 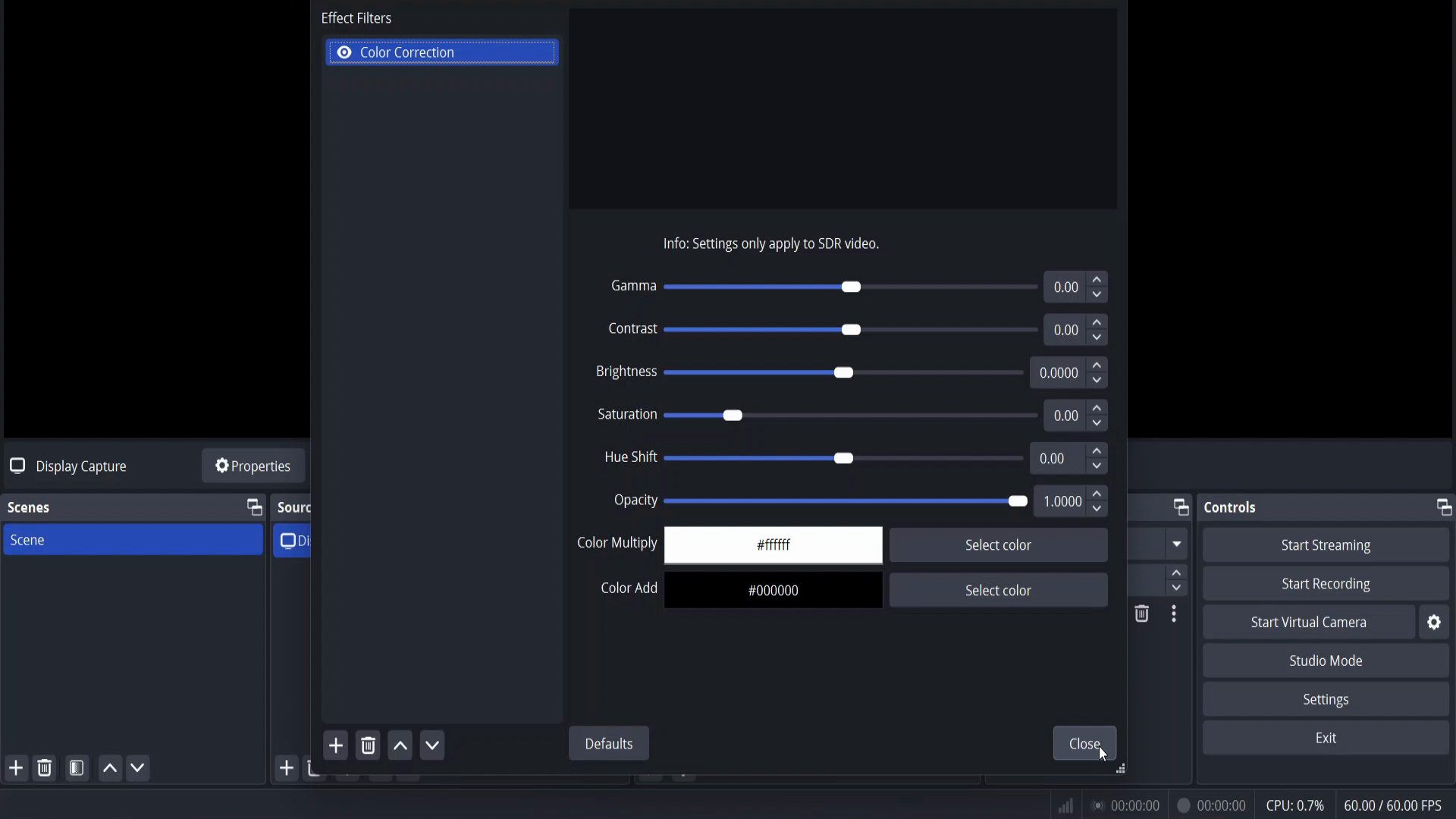 What do you see at coordinates (1328, 545) in the screenshot?
I see `start streaming` at bounding box center [1328, 545].